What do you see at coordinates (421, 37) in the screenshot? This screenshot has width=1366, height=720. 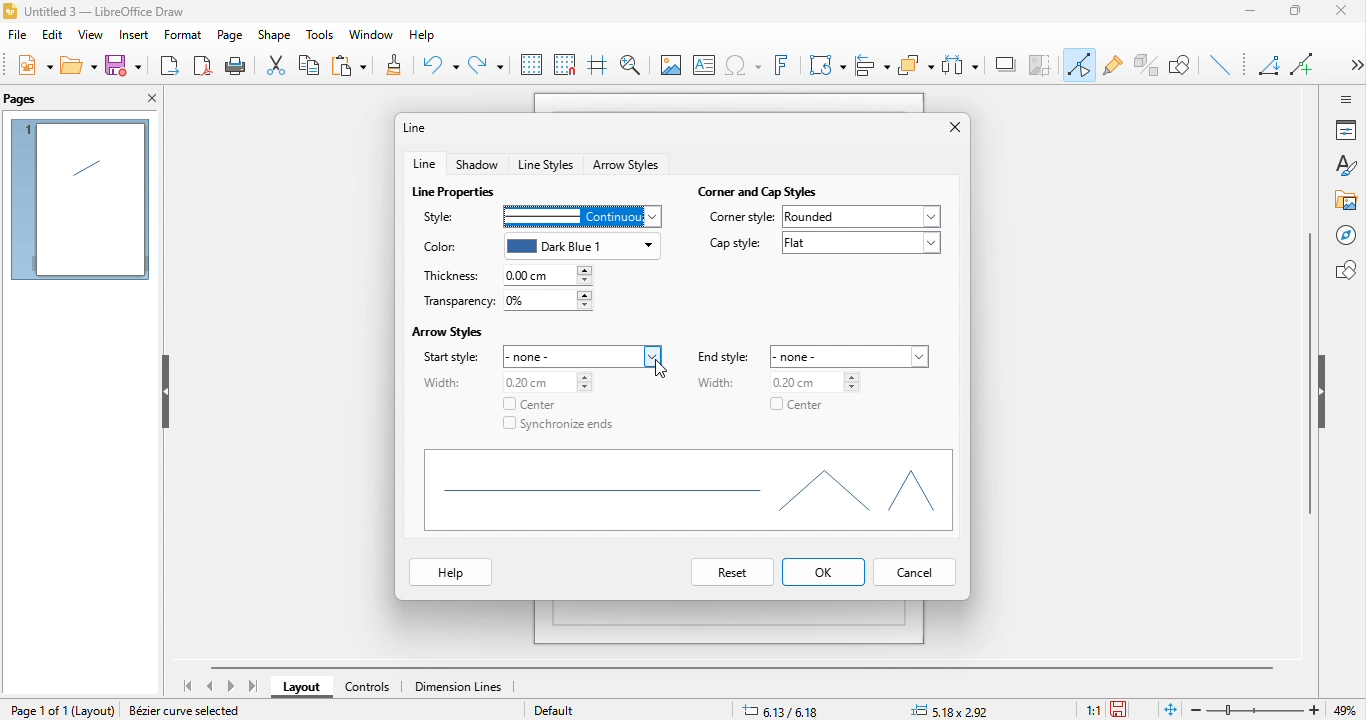 I see `help` at bounding box center [421, 37].